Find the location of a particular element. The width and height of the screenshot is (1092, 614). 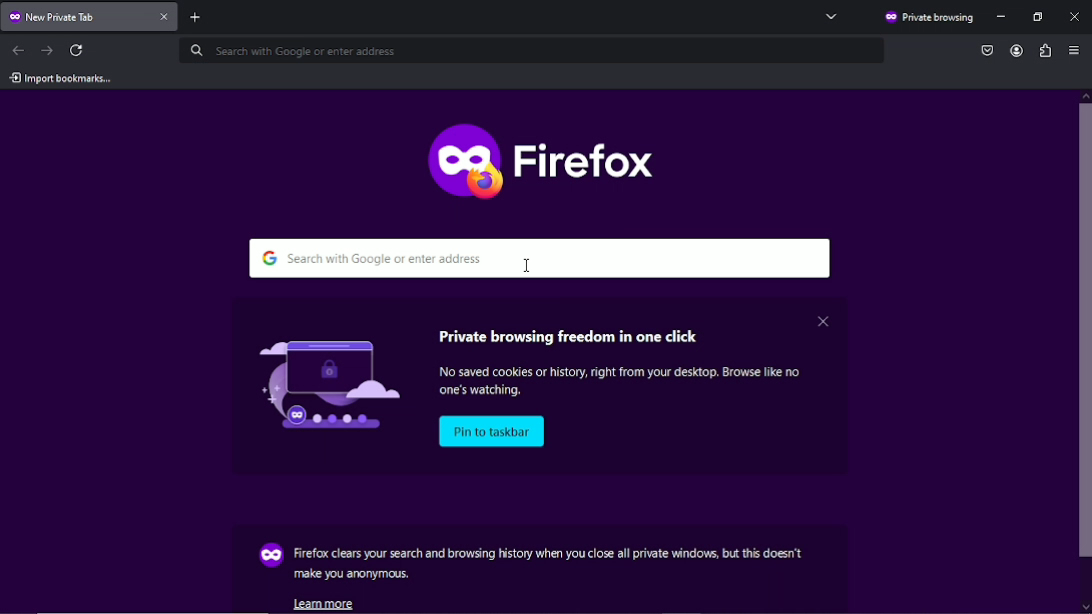

close is located at coordinates (166, 18).